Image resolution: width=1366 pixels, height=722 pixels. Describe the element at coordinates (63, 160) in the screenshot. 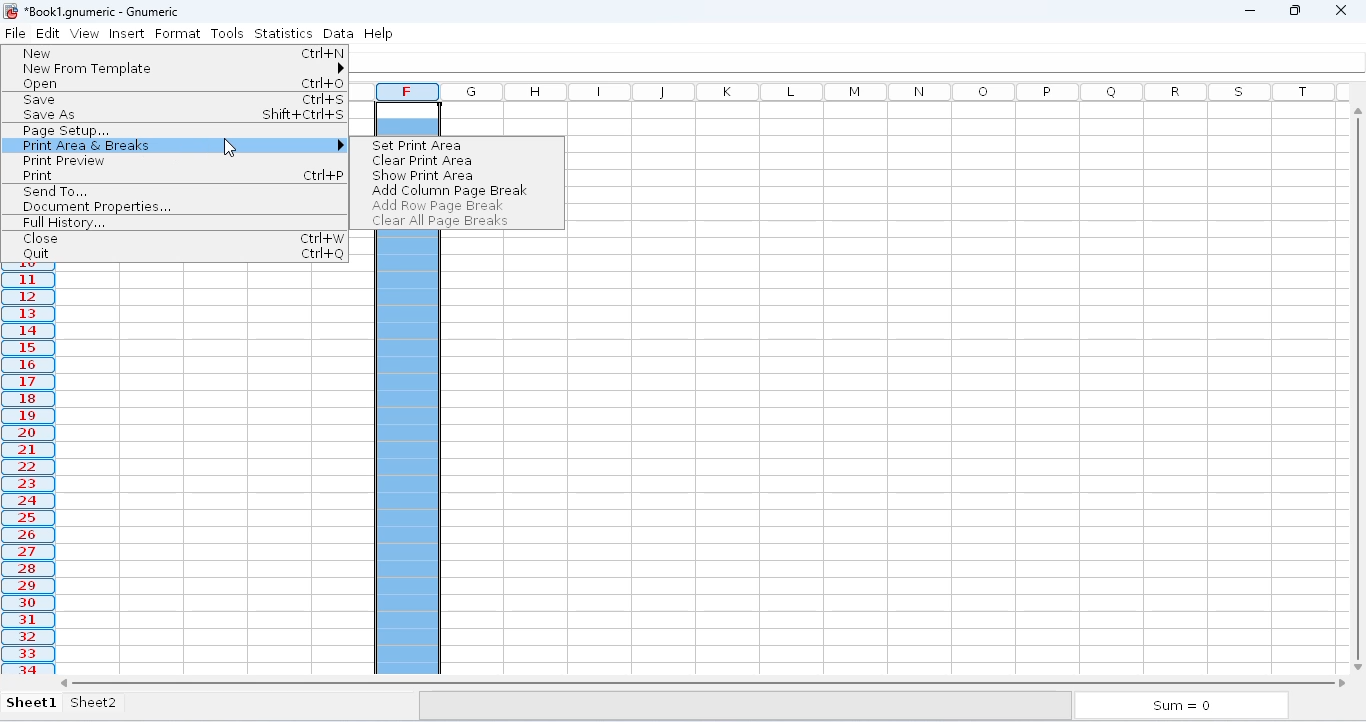

I see `print preview` at that location.